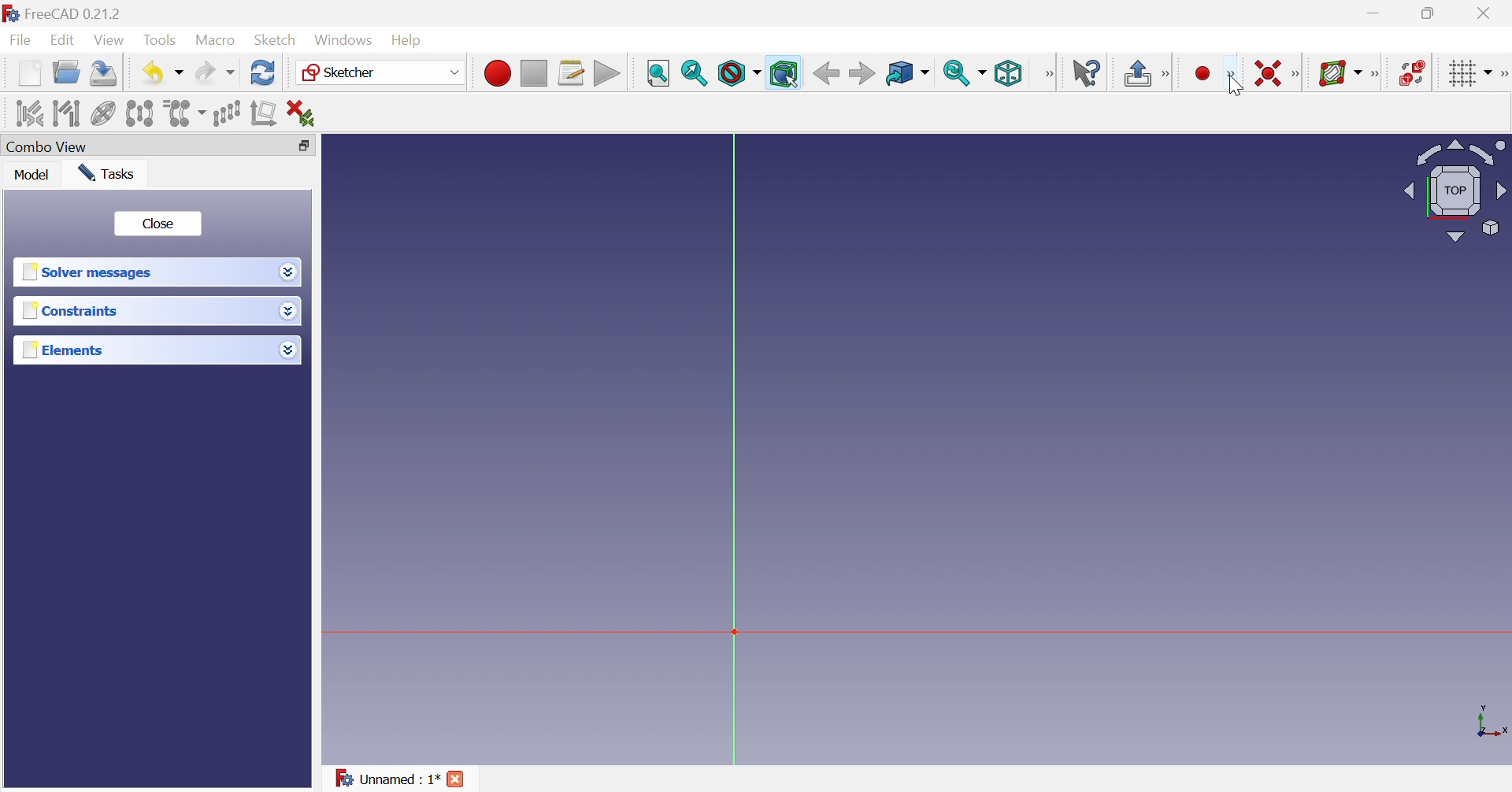 The height and width of the screenshot is (792, 1512). Describe the element at coordinates (784, 74) in the screenshot. I see `Bounding box` at that location.